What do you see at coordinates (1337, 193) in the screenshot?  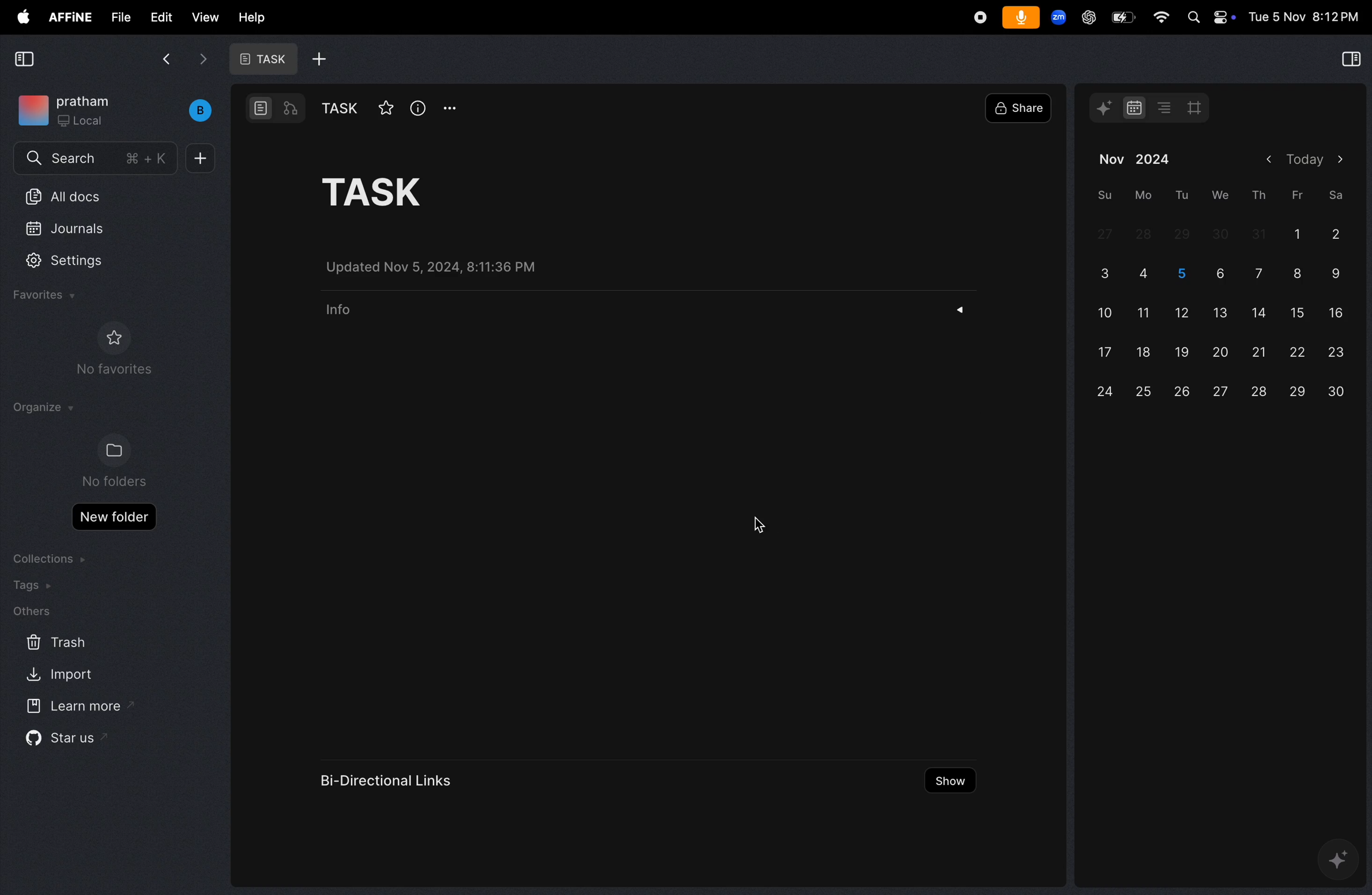 I see `saturday` at bounding box center [1337, 193].